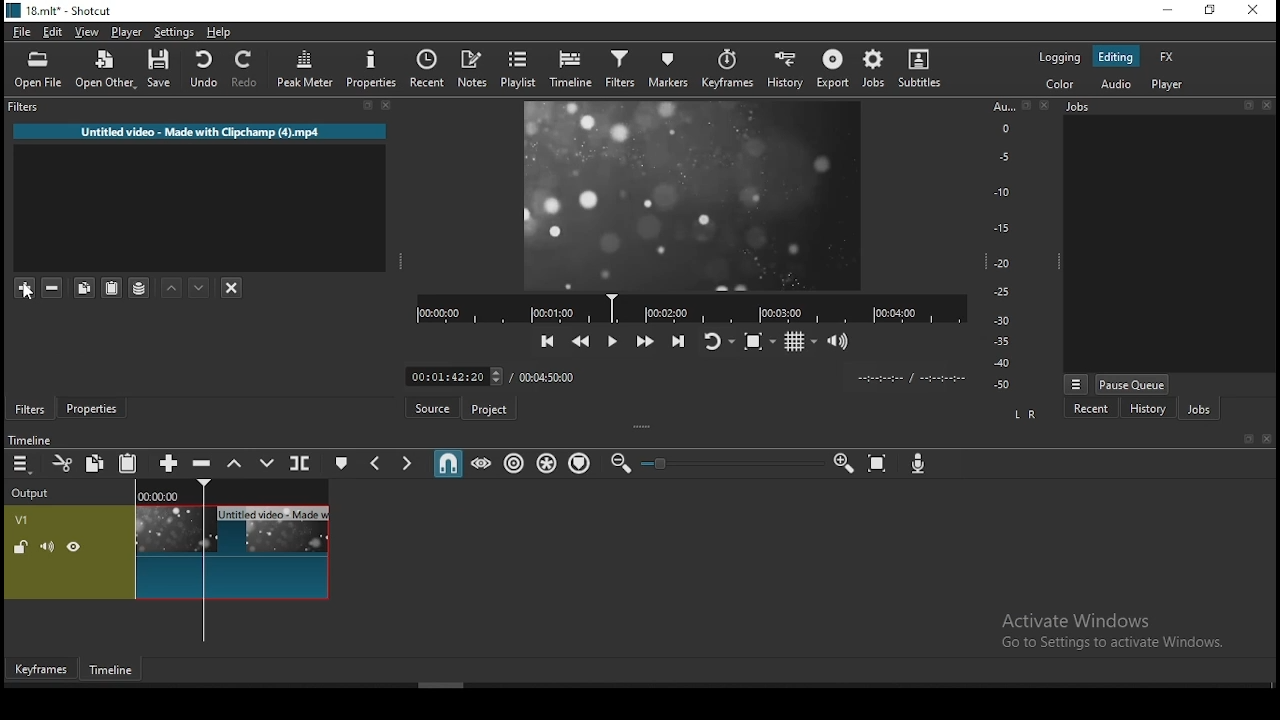 The image size is (1280, 720). What do you see at coordinates (431, 407) in the screenshot?
I see `source` at bounding box center [431, 407].